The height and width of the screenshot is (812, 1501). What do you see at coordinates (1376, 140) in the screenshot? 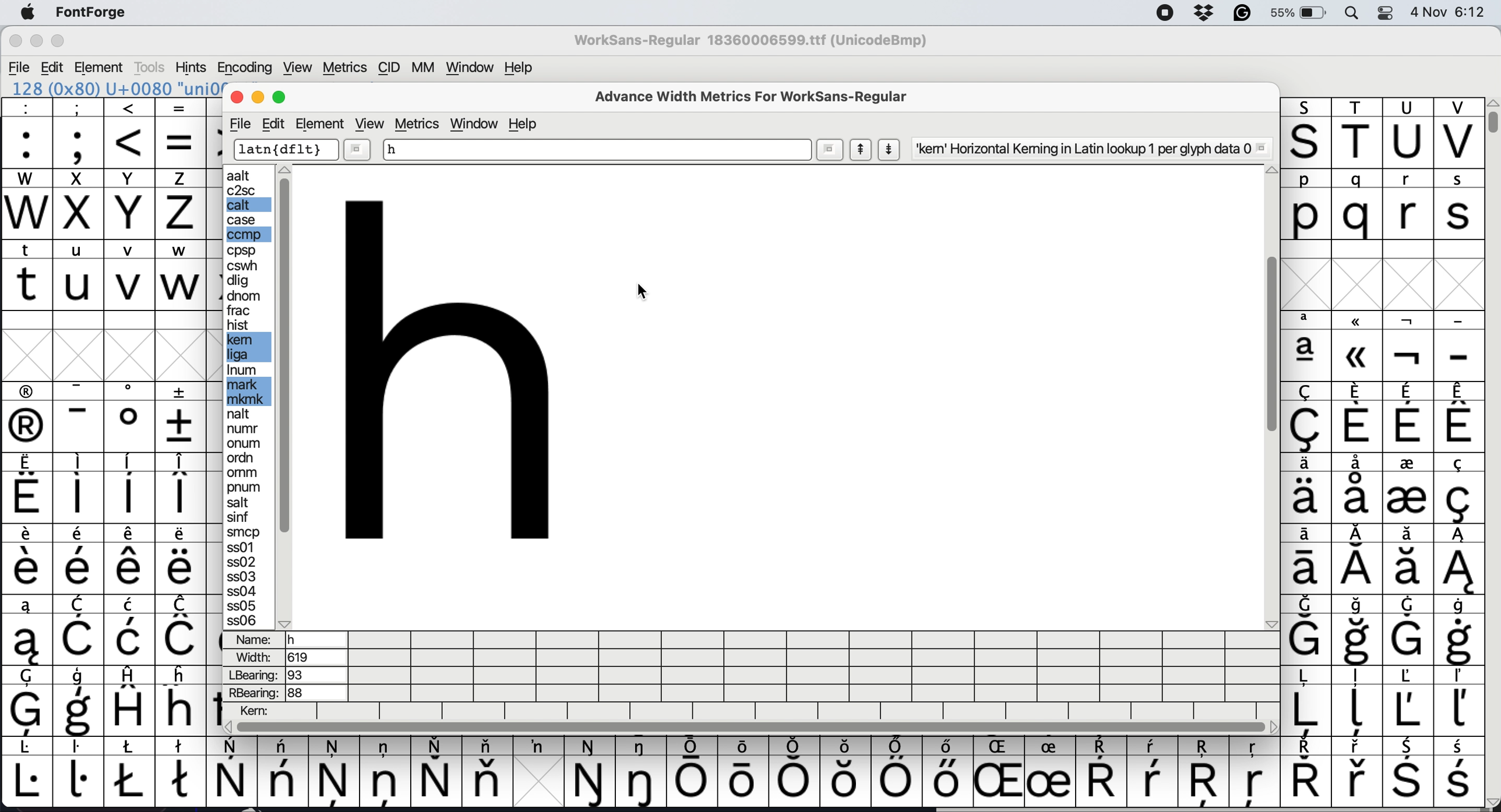
I see `uppercase letters` at bounding box center [1376, 140].